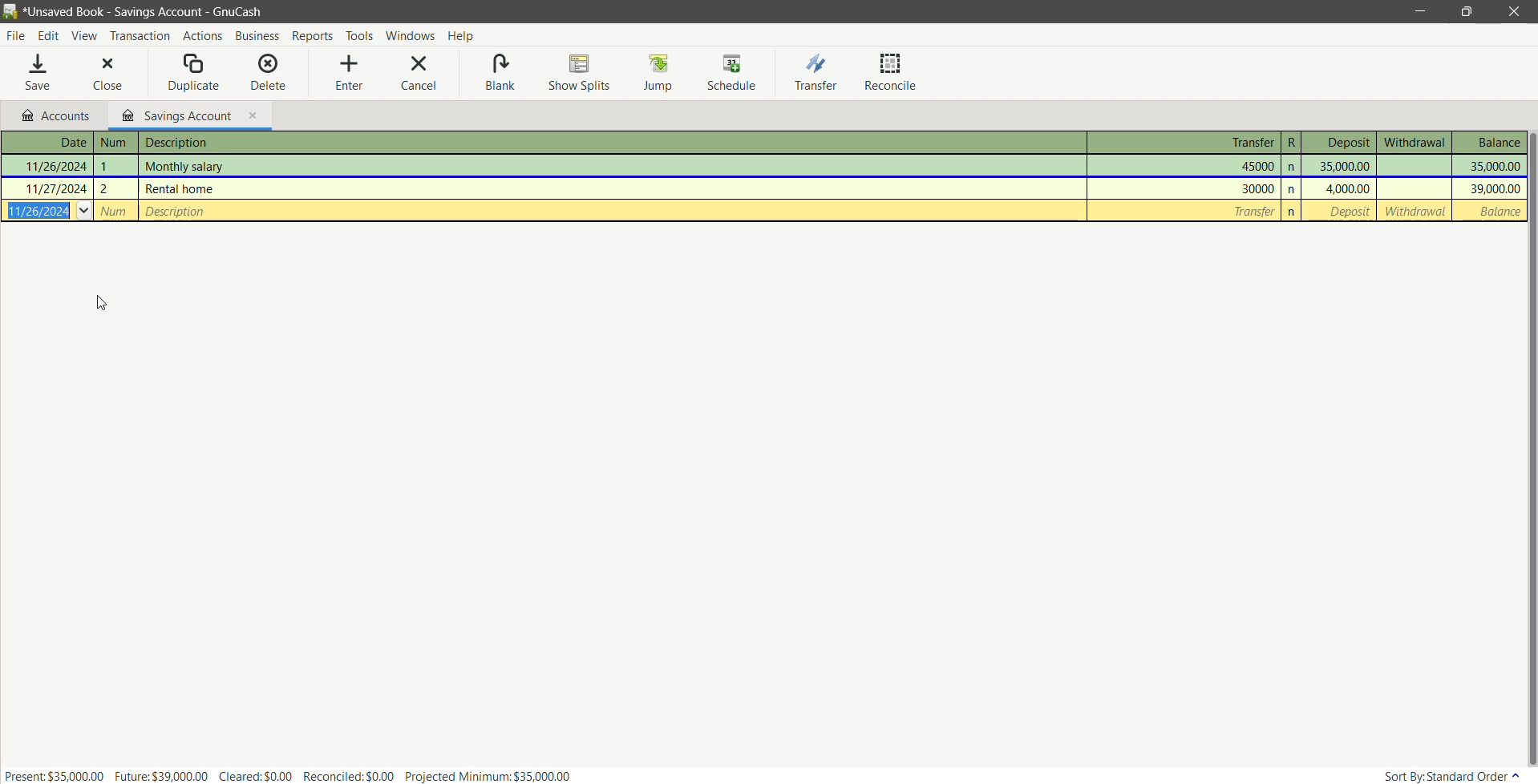 The height and width of the screenshot is (784, 1538). What do you see at coordinates (1415, 212) in the screenshot?
I see `withdrawal` at bounding box center [1415, 212].